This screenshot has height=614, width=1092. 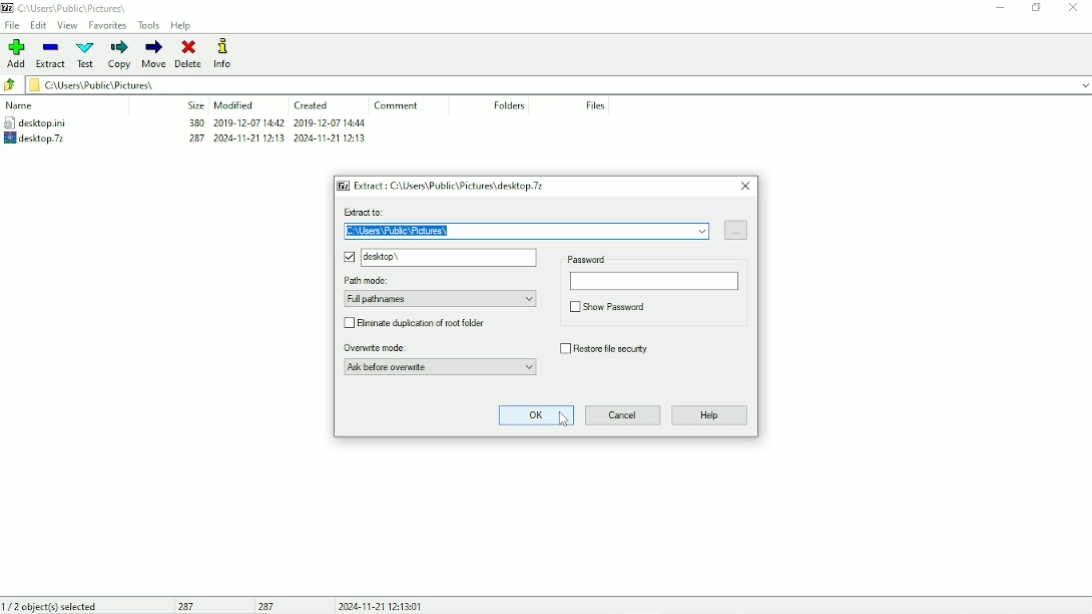 I want to click on Move, so click(x=153, y=54).